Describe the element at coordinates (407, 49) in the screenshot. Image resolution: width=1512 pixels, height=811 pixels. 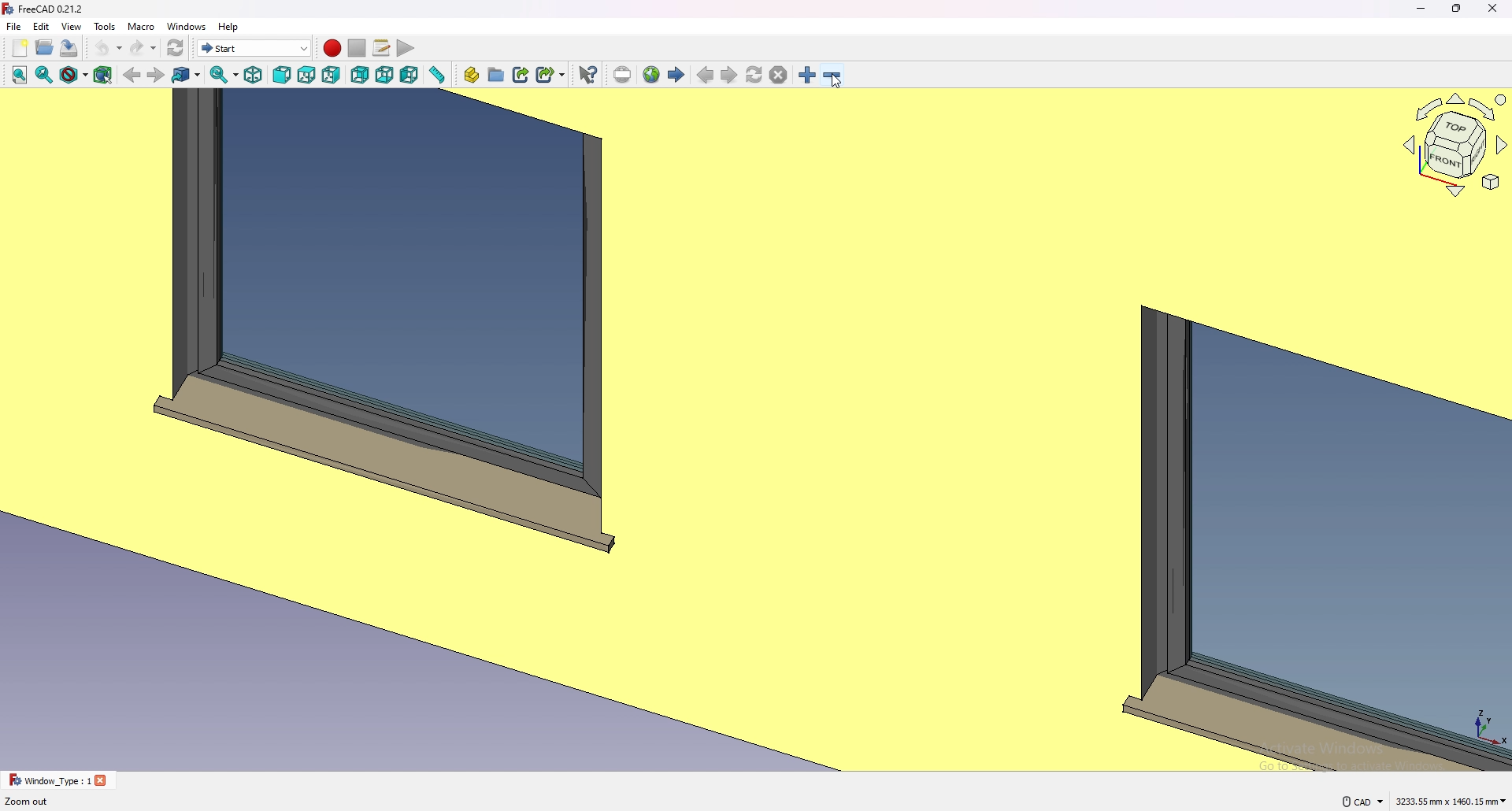
I see `execute macro` at that location.